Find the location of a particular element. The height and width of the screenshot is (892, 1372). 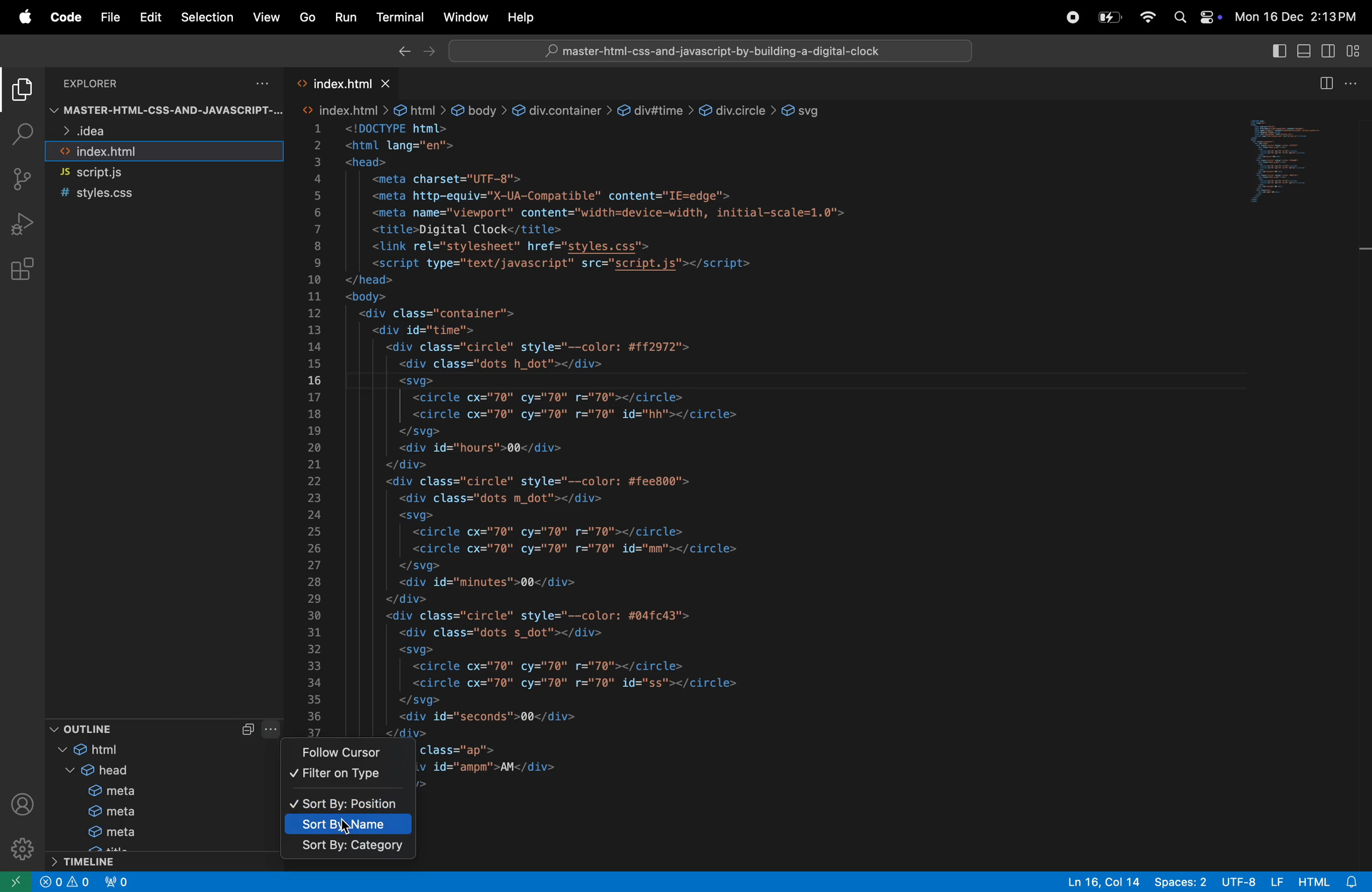

open remote window is located at coordinates (17, 882).